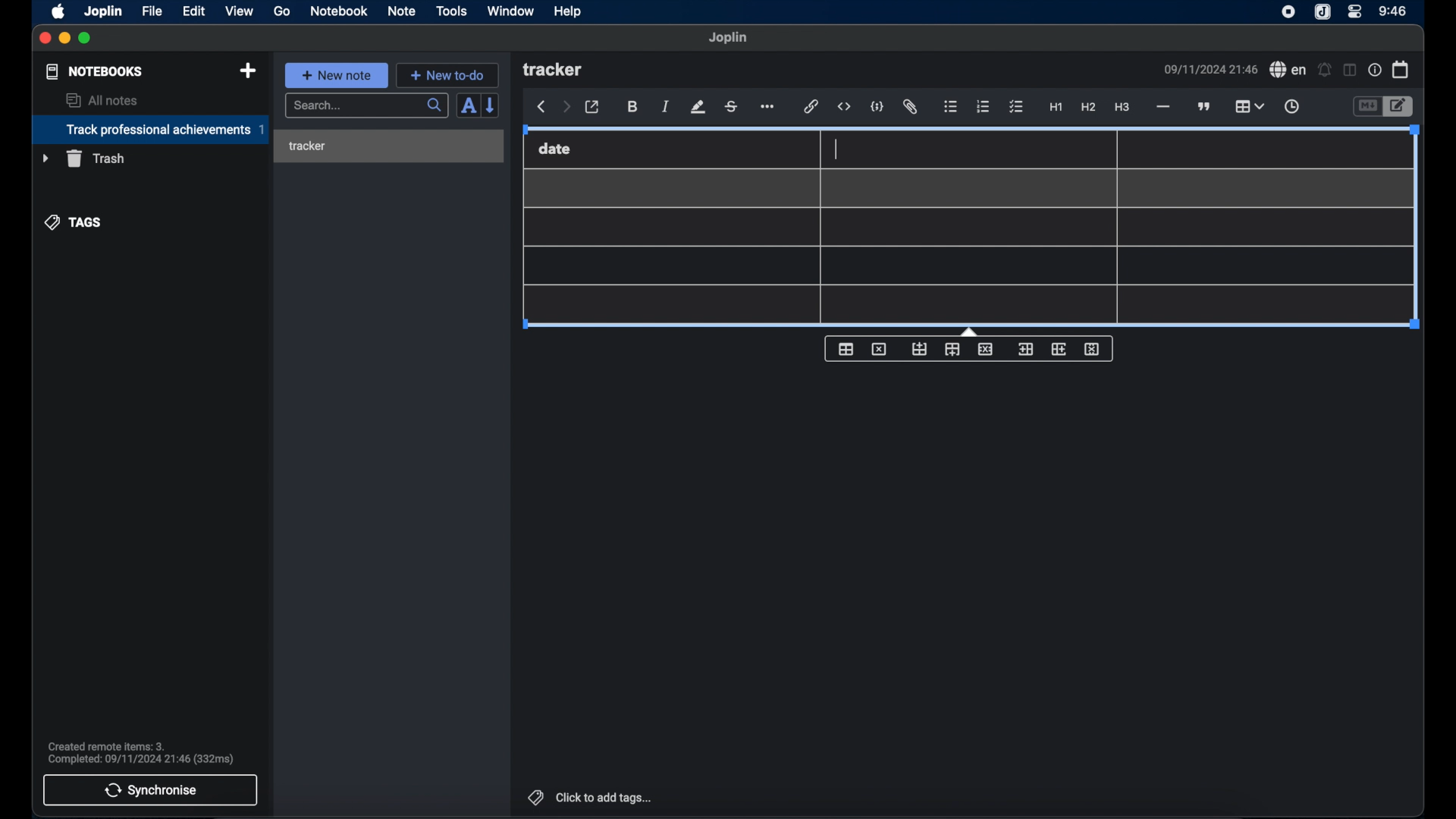 The image size is (1456, 819). I want to click on bulleted list, so click(951, 108).